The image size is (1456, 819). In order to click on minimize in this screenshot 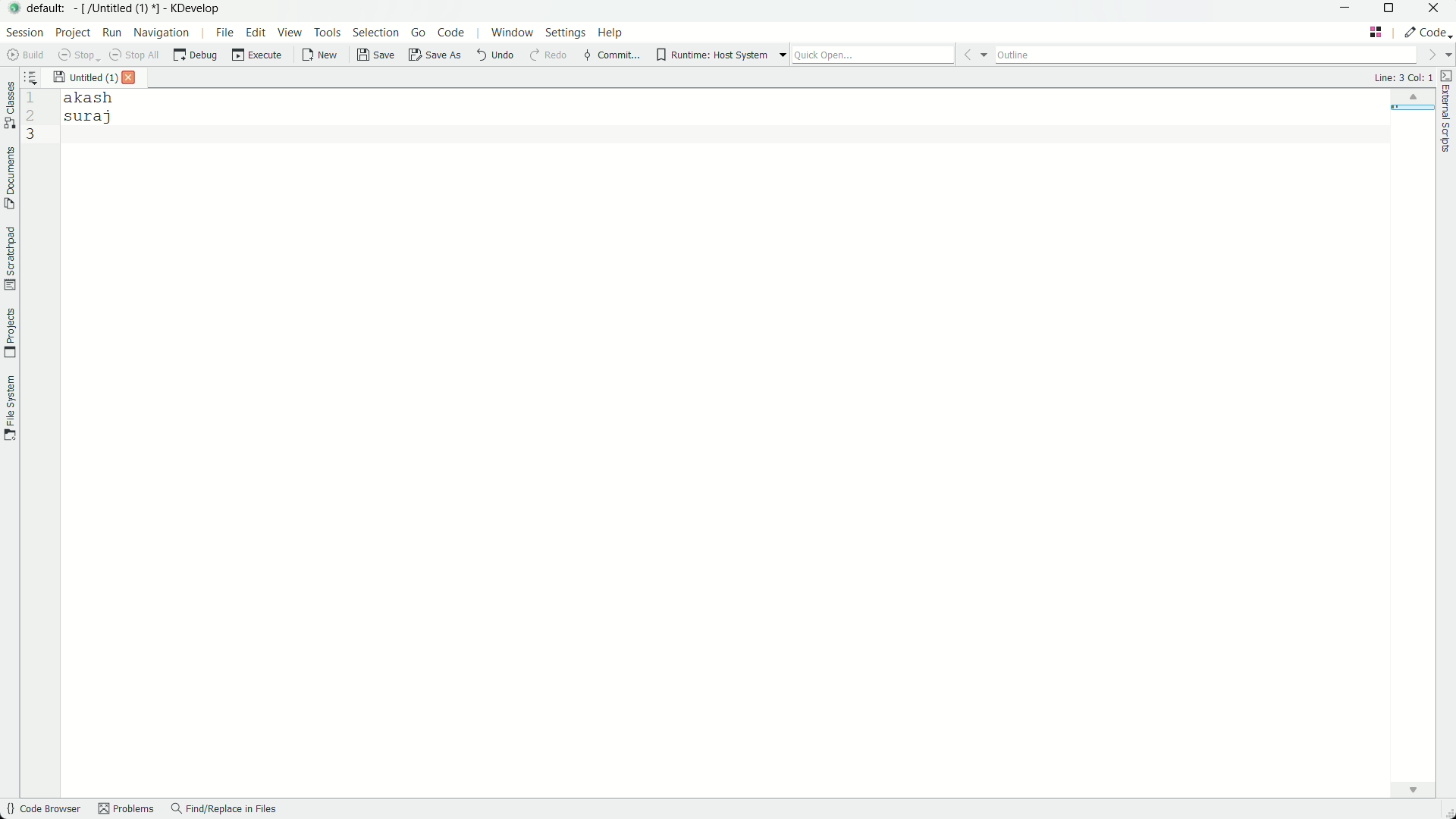, I will do `click(1345, 11)`.